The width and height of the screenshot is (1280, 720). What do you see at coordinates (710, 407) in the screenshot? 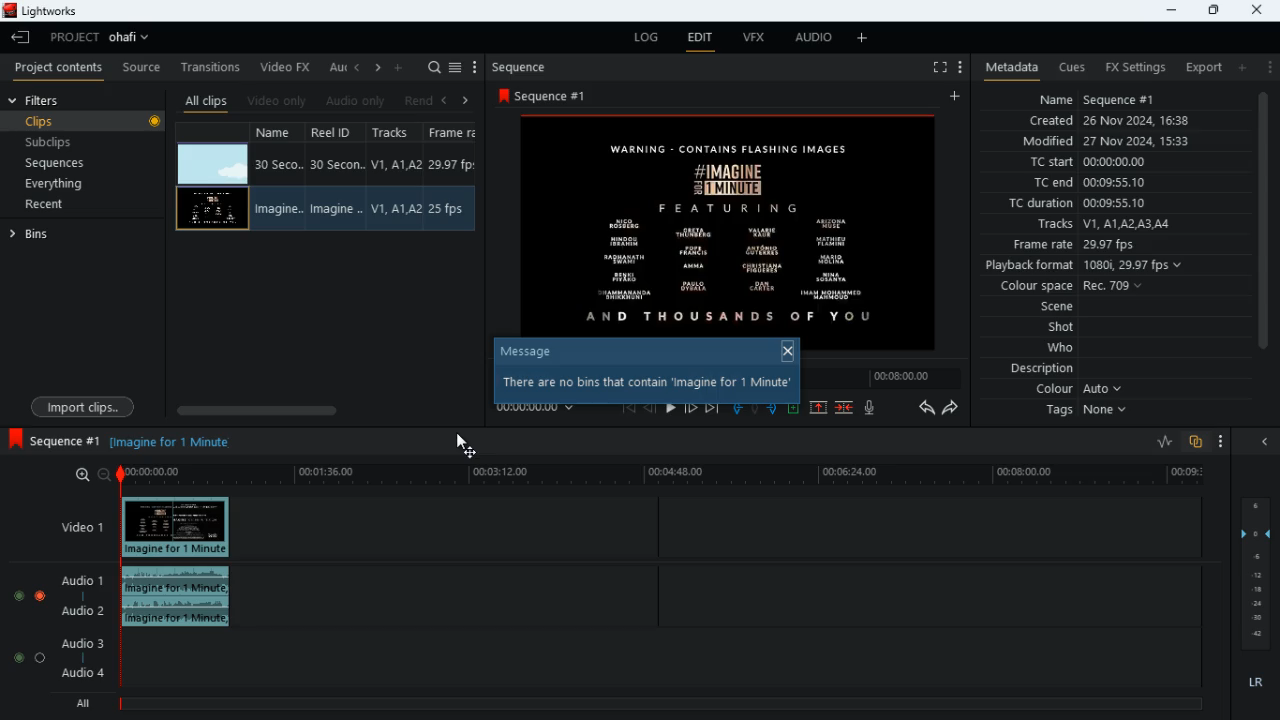
I see `end` at bounding box center [710, 407].